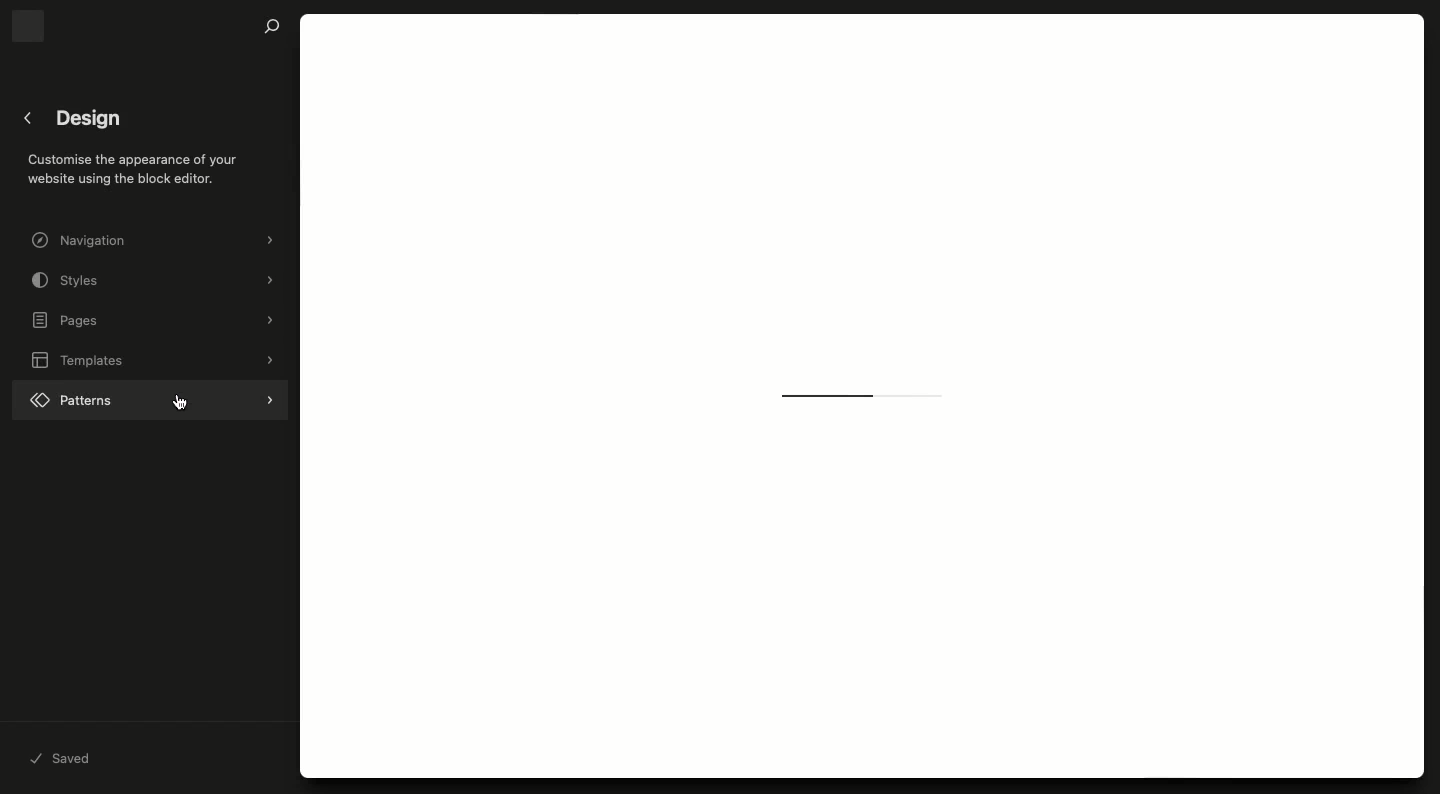 The image size is (1440, 794). What do you see at coordinates (139, 164) in the screenshot?
I see `Design` at bounding box center [139, 164].